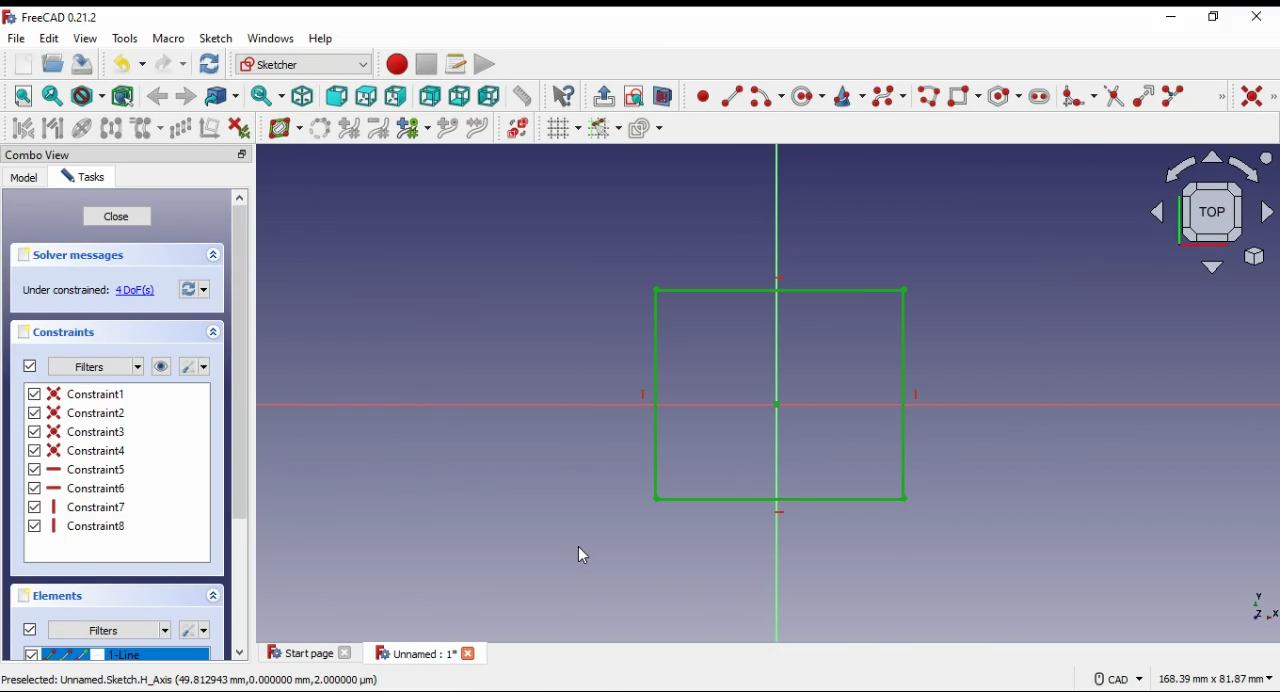 This screenshot has width=1280, height=692. Describe the element at coordinates (431, 96) in the screenshot. I see `rear` at that location.